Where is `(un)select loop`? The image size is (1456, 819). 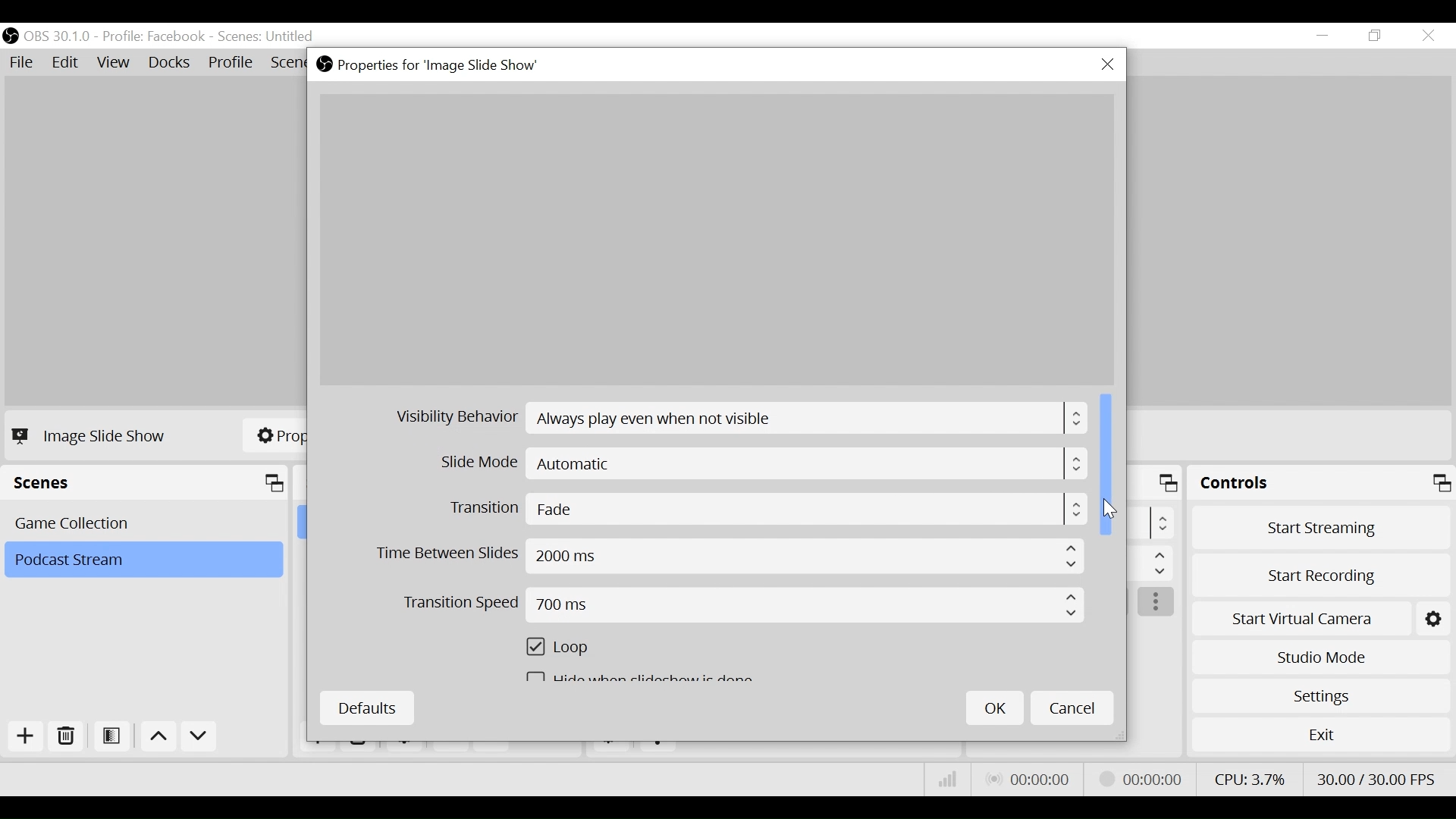
(un)select loop is located at coordinates (565, 651).